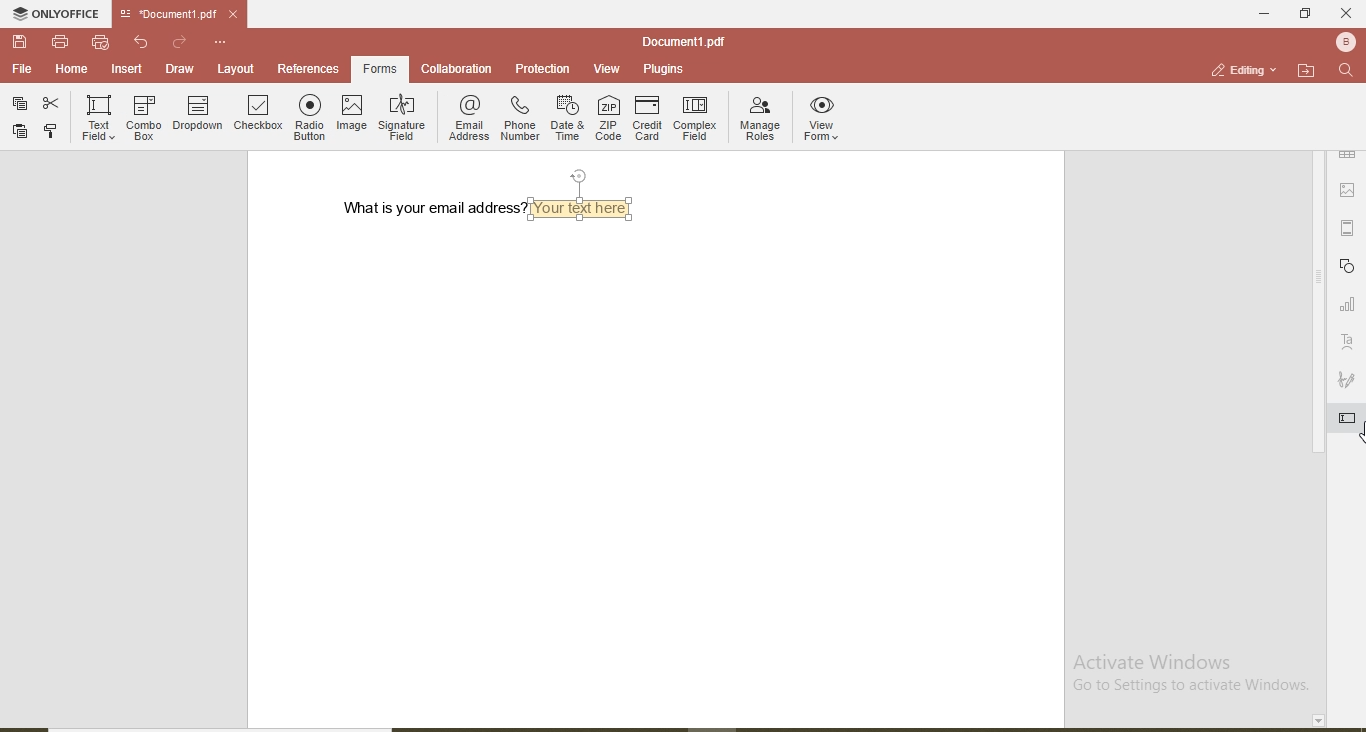 Image resolution: width=1366 pixels, height=732 pixels. What do you see at coordinates (455, 69) in the screenshot?
I see `collaboration` at bounding box center [455, 69].